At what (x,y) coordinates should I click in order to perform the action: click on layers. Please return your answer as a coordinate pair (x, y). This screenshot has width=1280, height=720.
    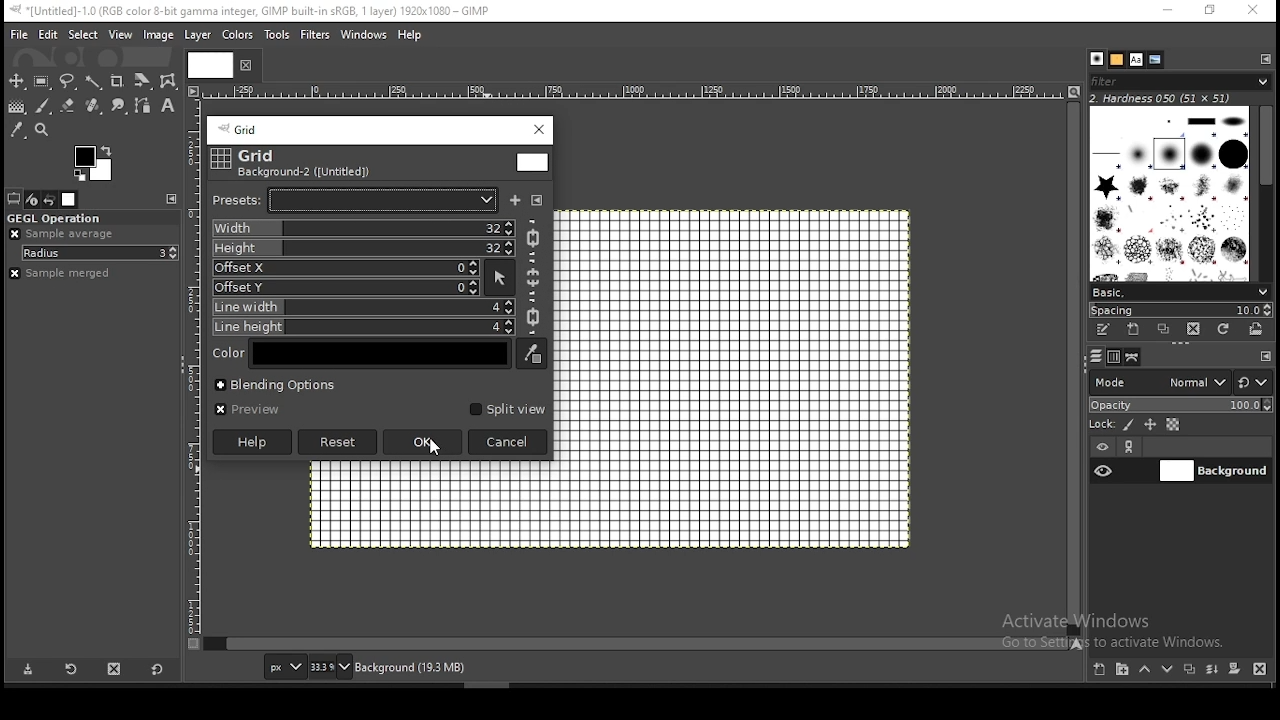
    Looking at the image, I should click on (1097, 355).